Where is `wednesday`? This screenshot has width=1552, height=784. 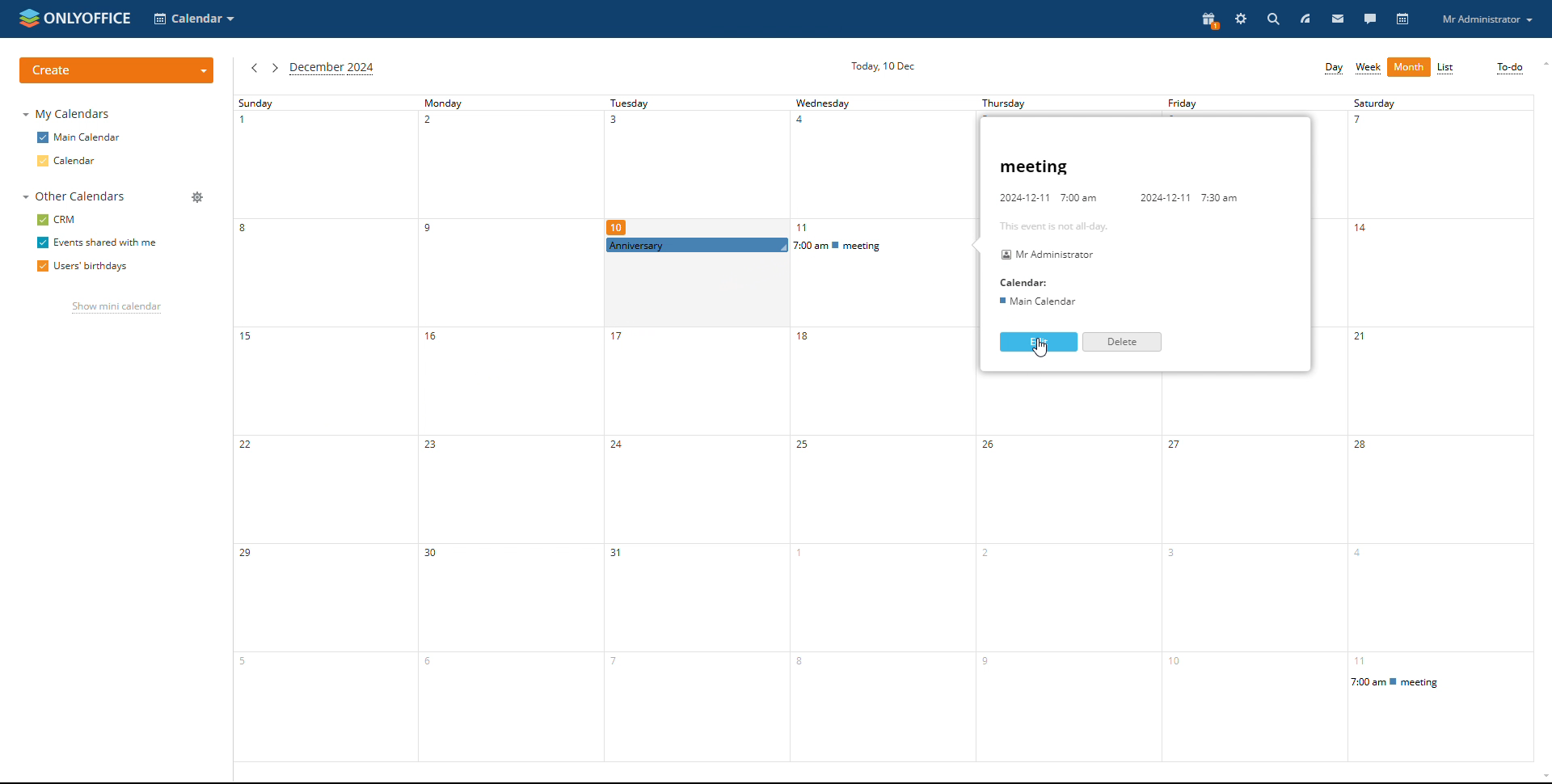
wednesday is located at coordinates (882, 429).